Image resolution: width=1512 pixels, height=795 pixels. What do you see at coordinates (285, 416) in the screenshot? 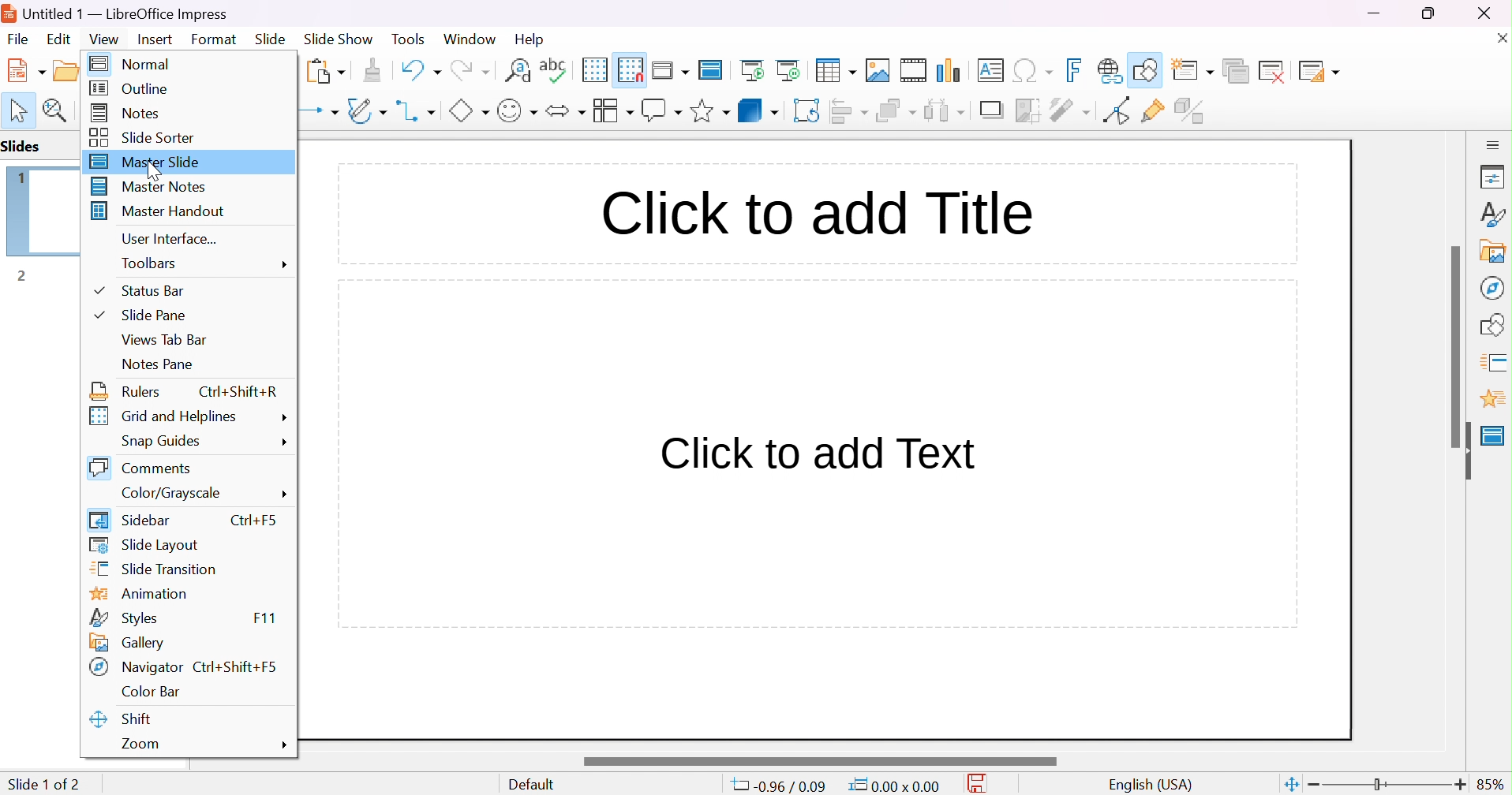
I see `more` at bounding box center [285, 416].